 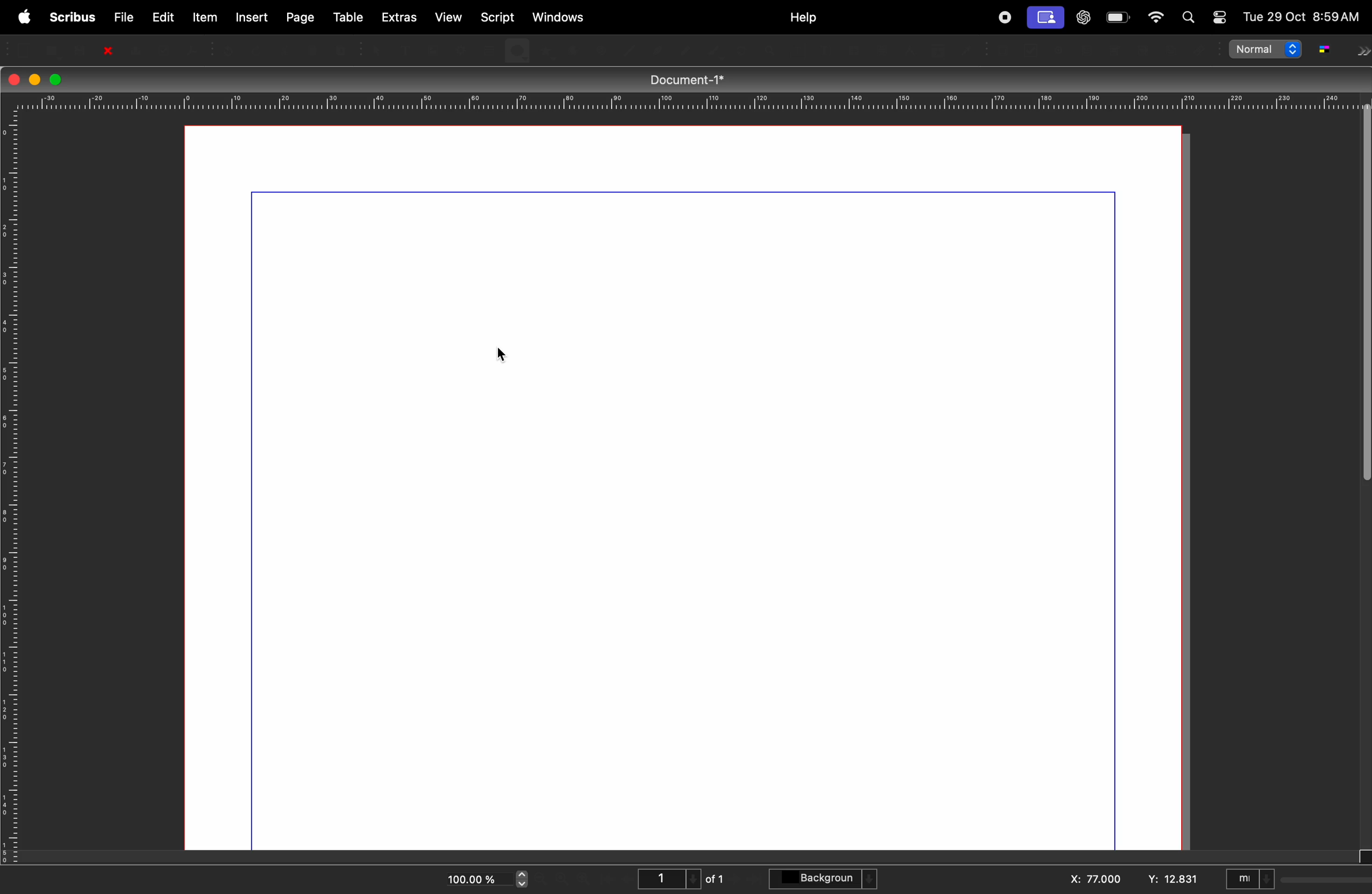 I want to click on edit, so click(x=163, y=16).